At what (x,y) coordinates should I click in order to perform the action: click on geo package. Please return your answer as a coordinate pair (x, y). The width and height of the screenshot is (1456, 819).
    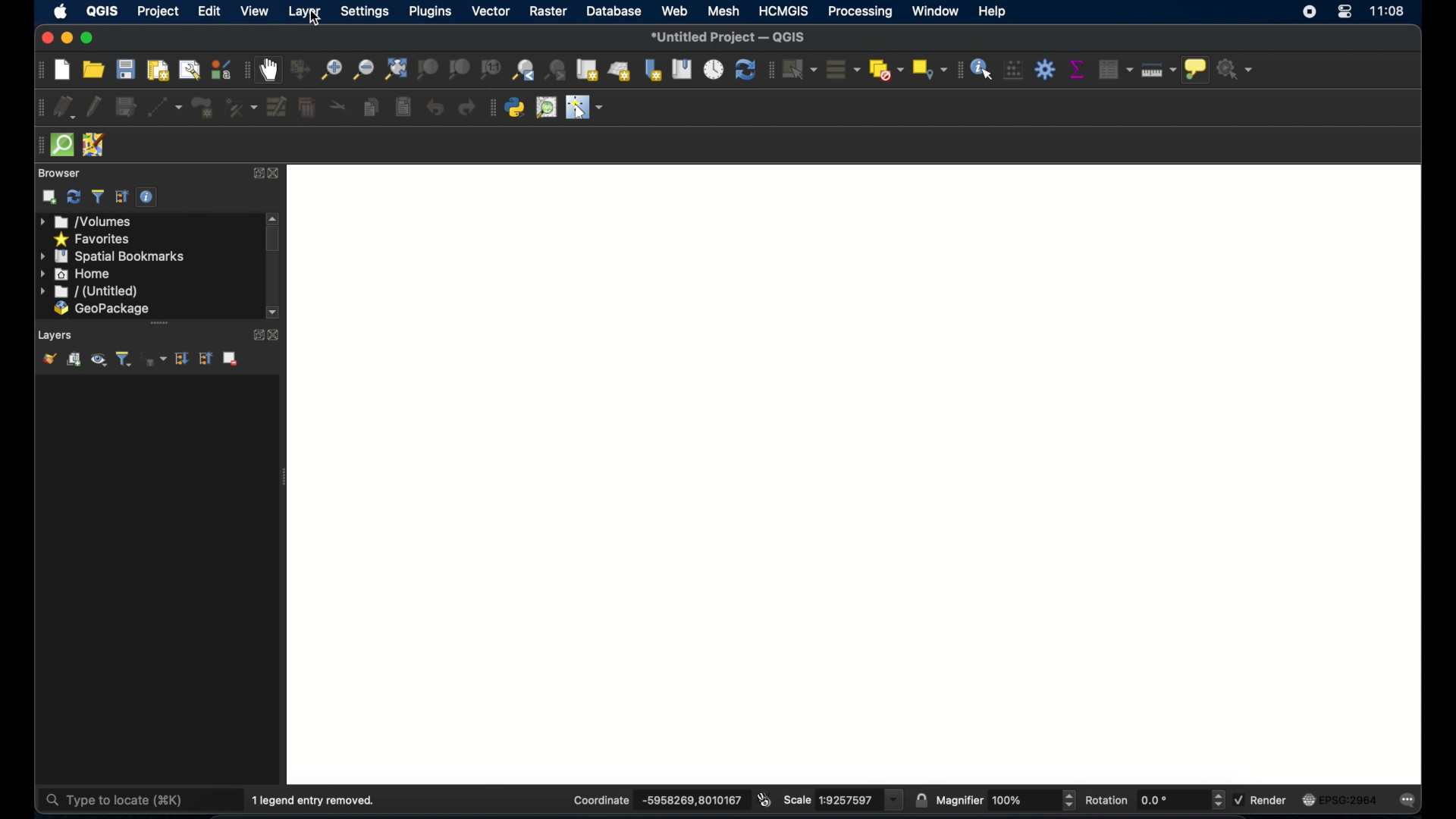
    Looking at the image, I should click on (101, 309).